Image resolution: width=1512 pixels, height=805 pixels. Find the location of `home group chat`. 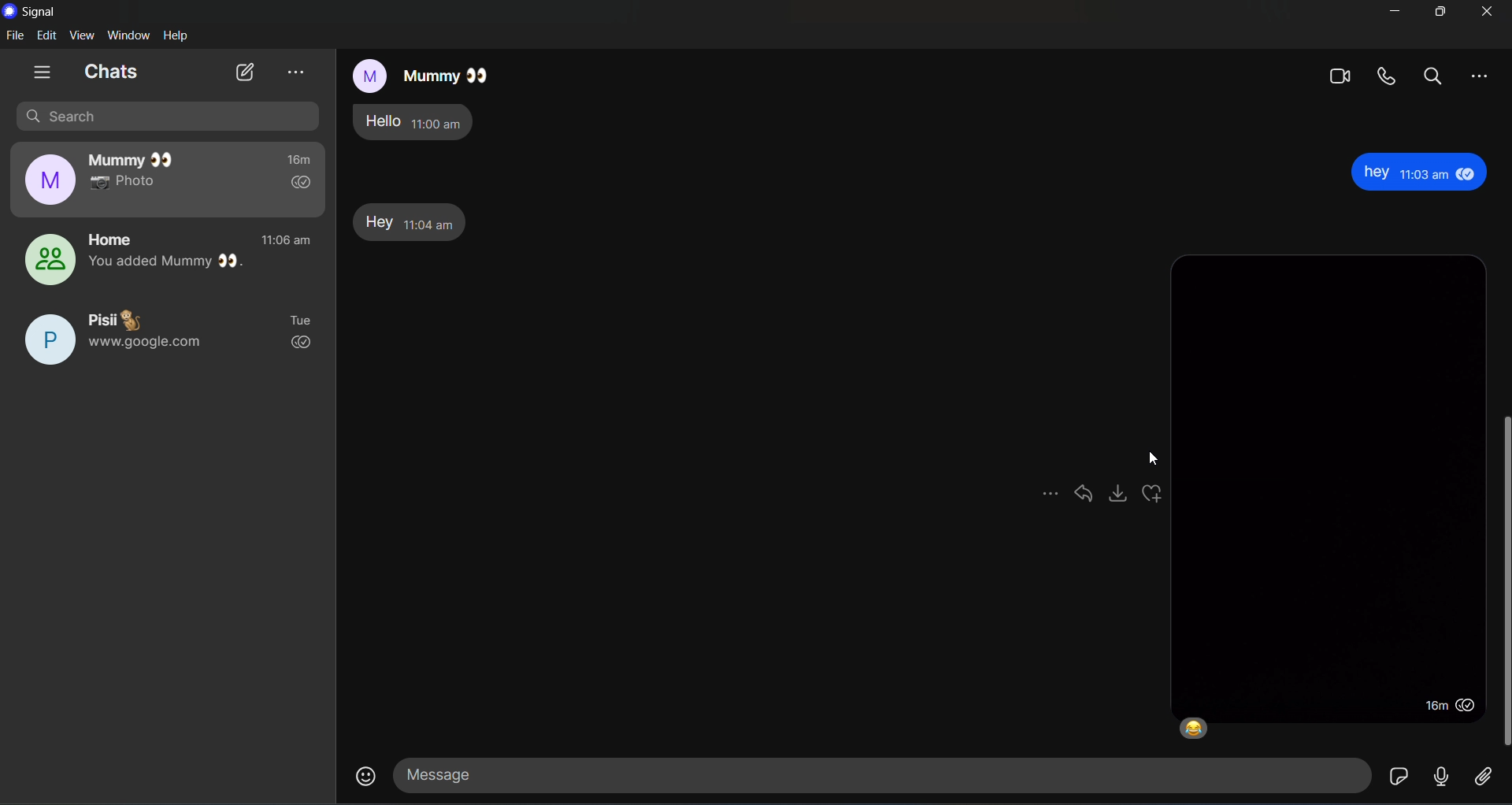

home group chat is located at coordinates (165, 260).